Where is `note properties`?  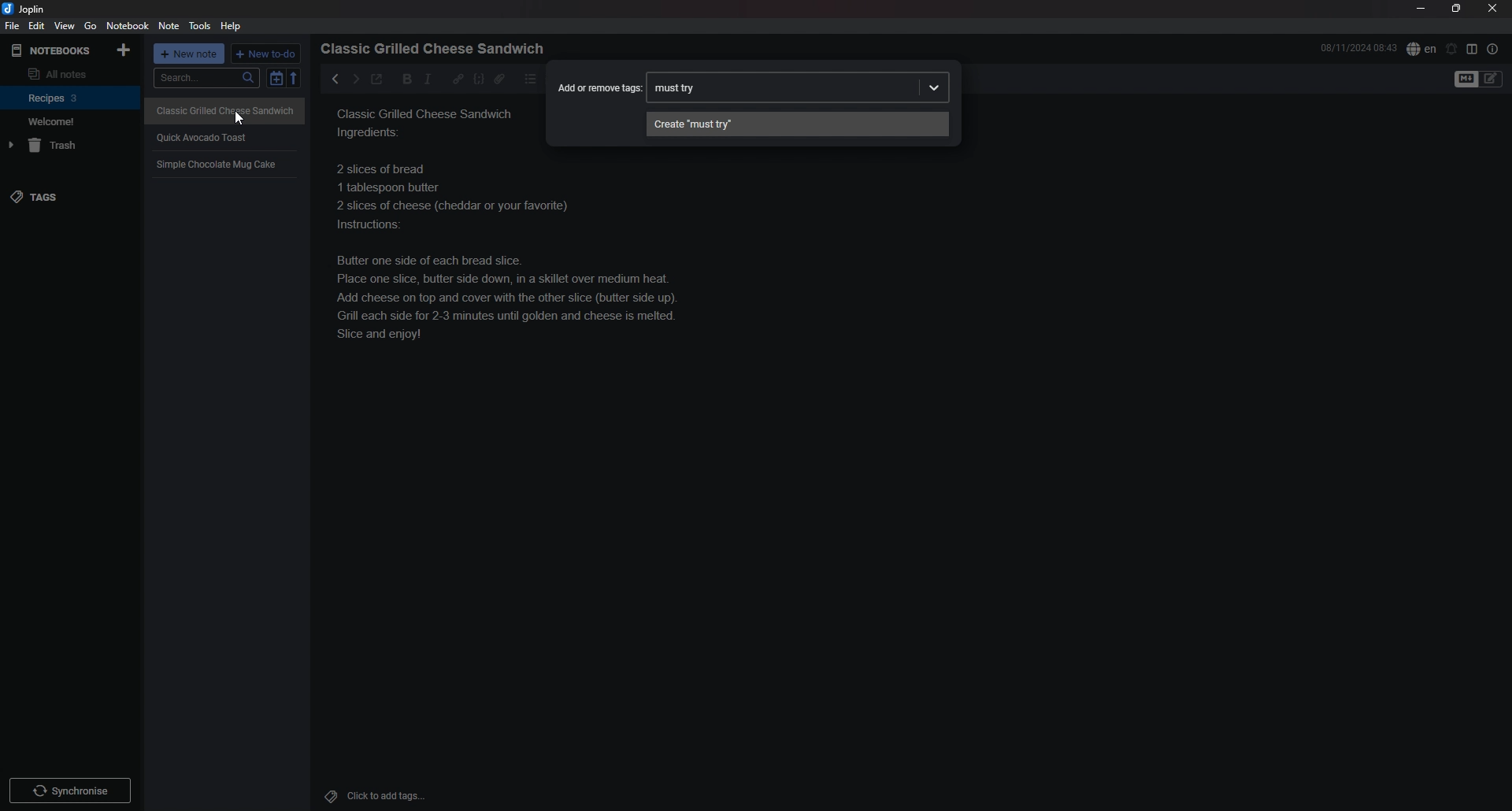 note properties is located at coordinates (1493, 49).